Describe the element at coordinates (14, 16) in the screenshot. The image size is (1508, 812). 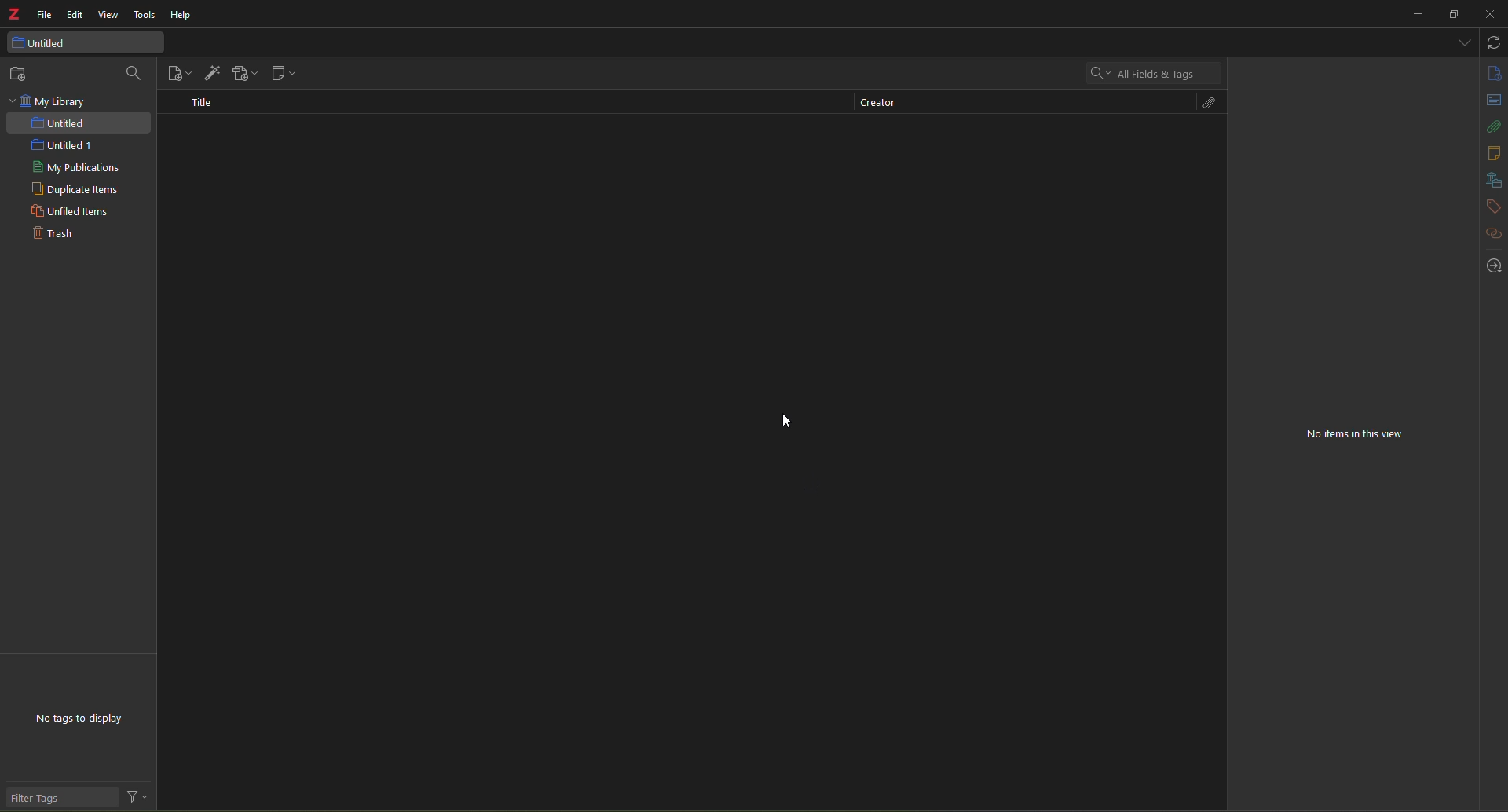
I see `z` at that location.